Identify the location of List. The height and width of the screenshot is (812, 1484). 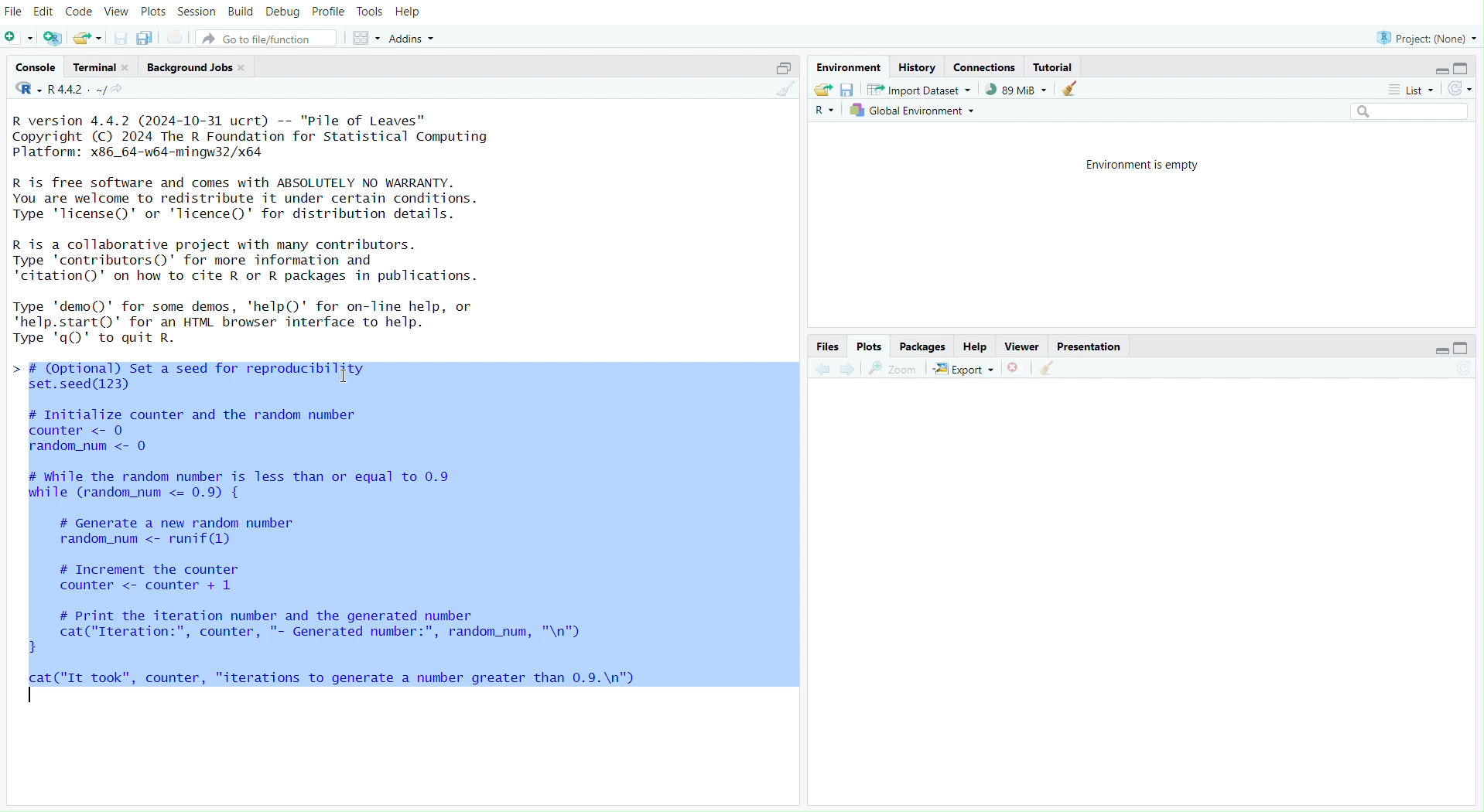
(1412, 88).